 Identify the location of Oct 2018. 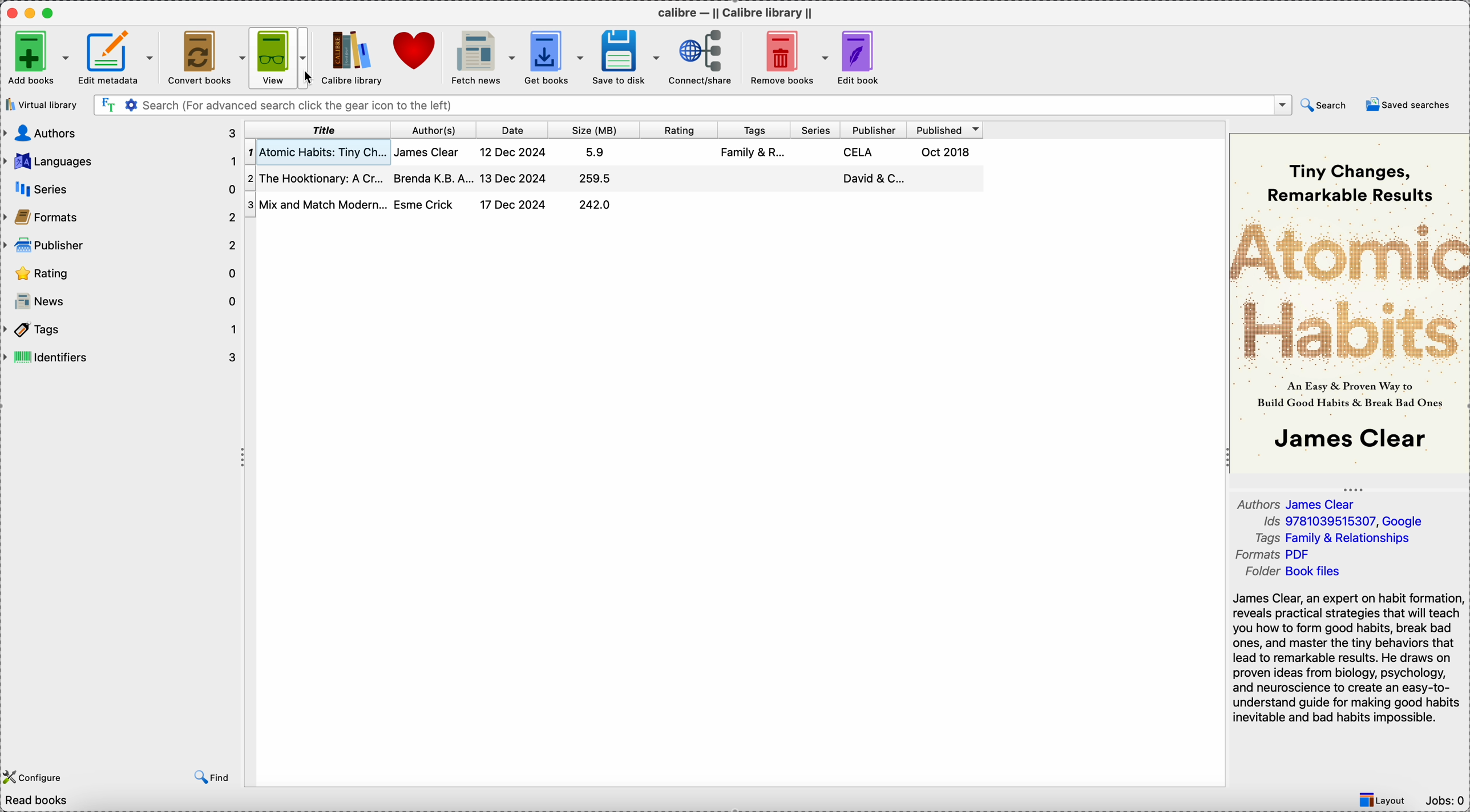
(948, 151).